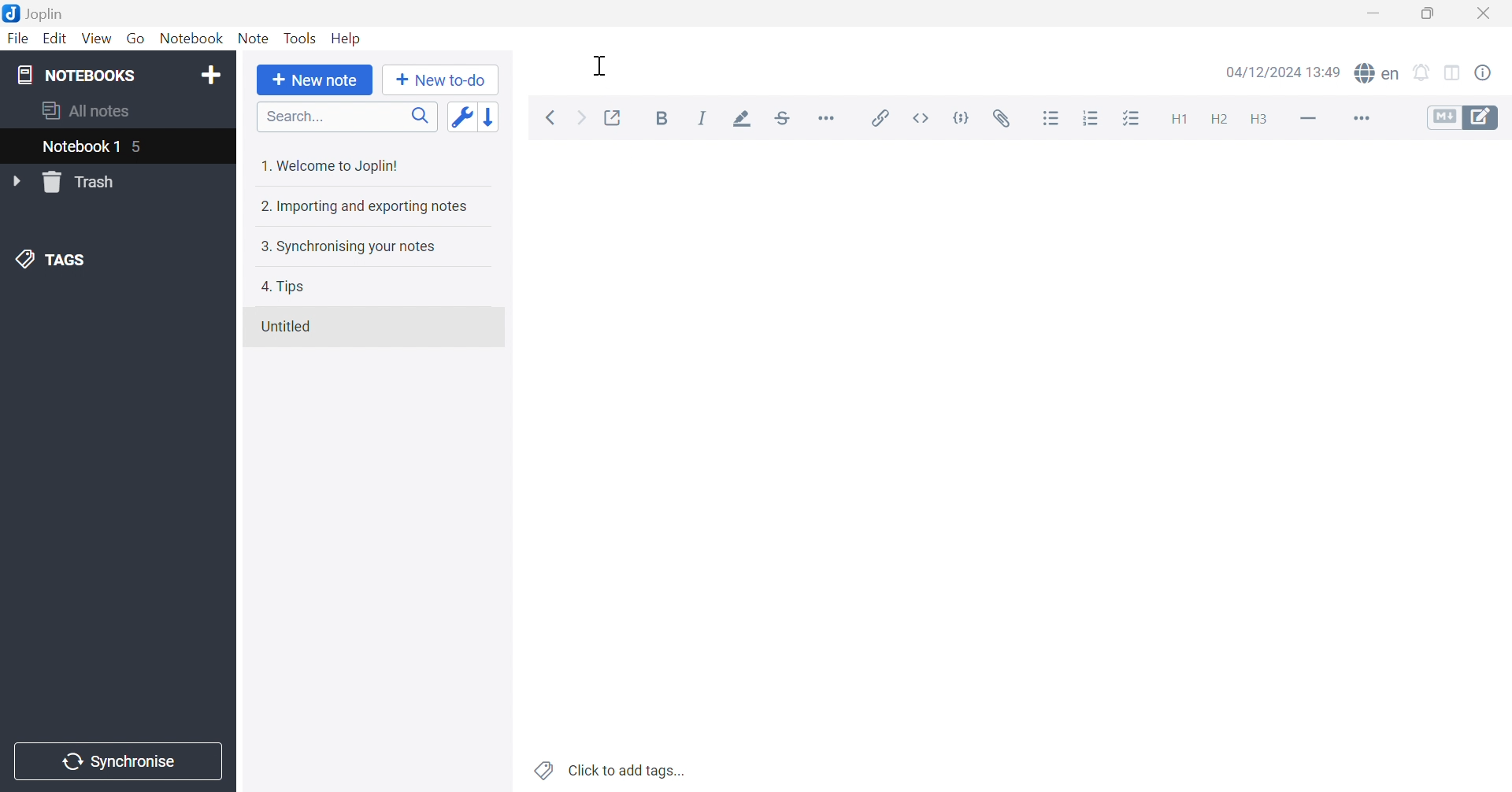 This screenshot has height=792, width=1512. I want to click on NOTEBOOKS, so click(76, 73).